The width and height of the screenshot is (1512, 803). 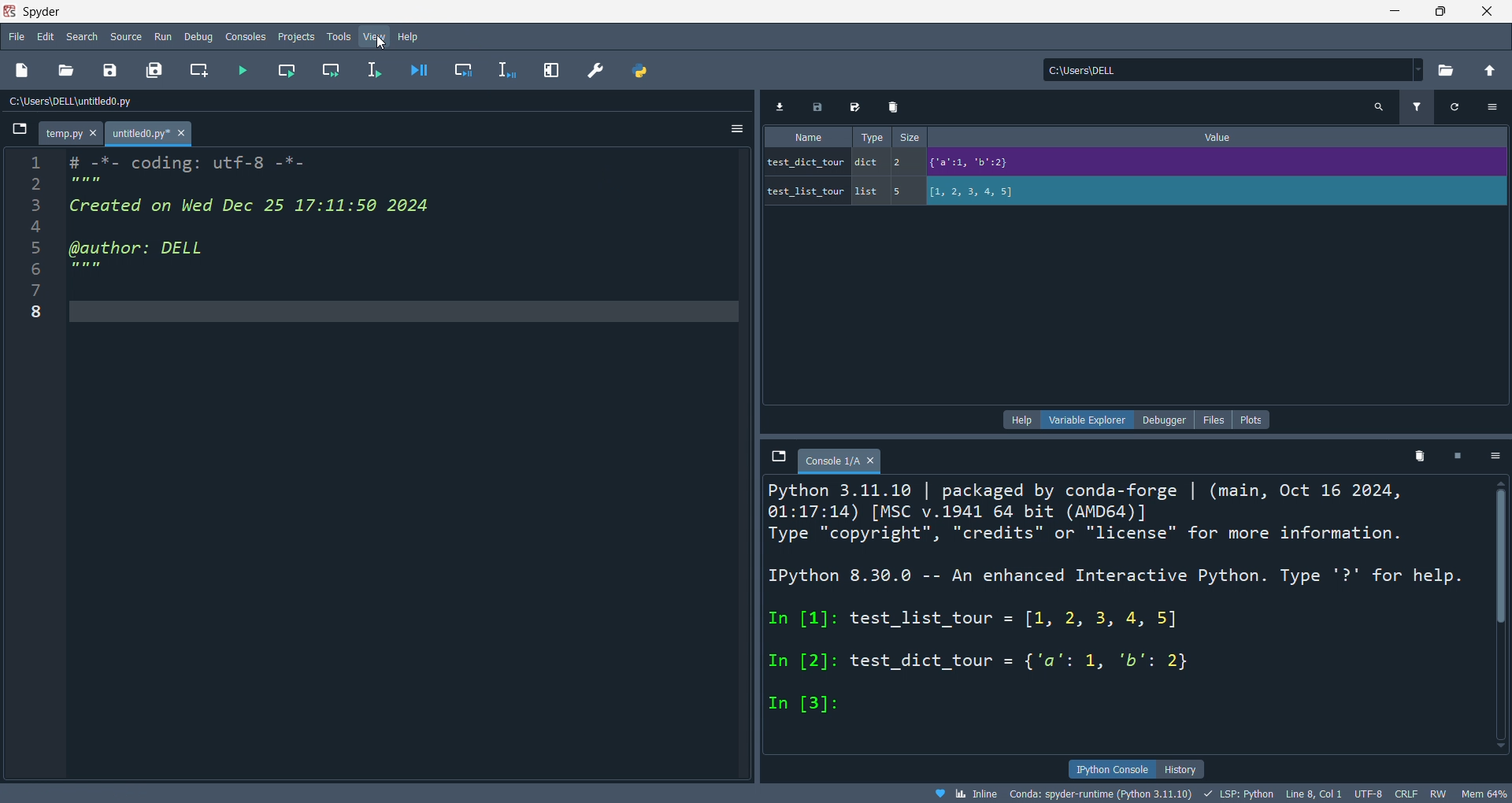 What do you see at coordinates (409, 36) in the screenshot?
I see `help` at bounding box center [409, 36].